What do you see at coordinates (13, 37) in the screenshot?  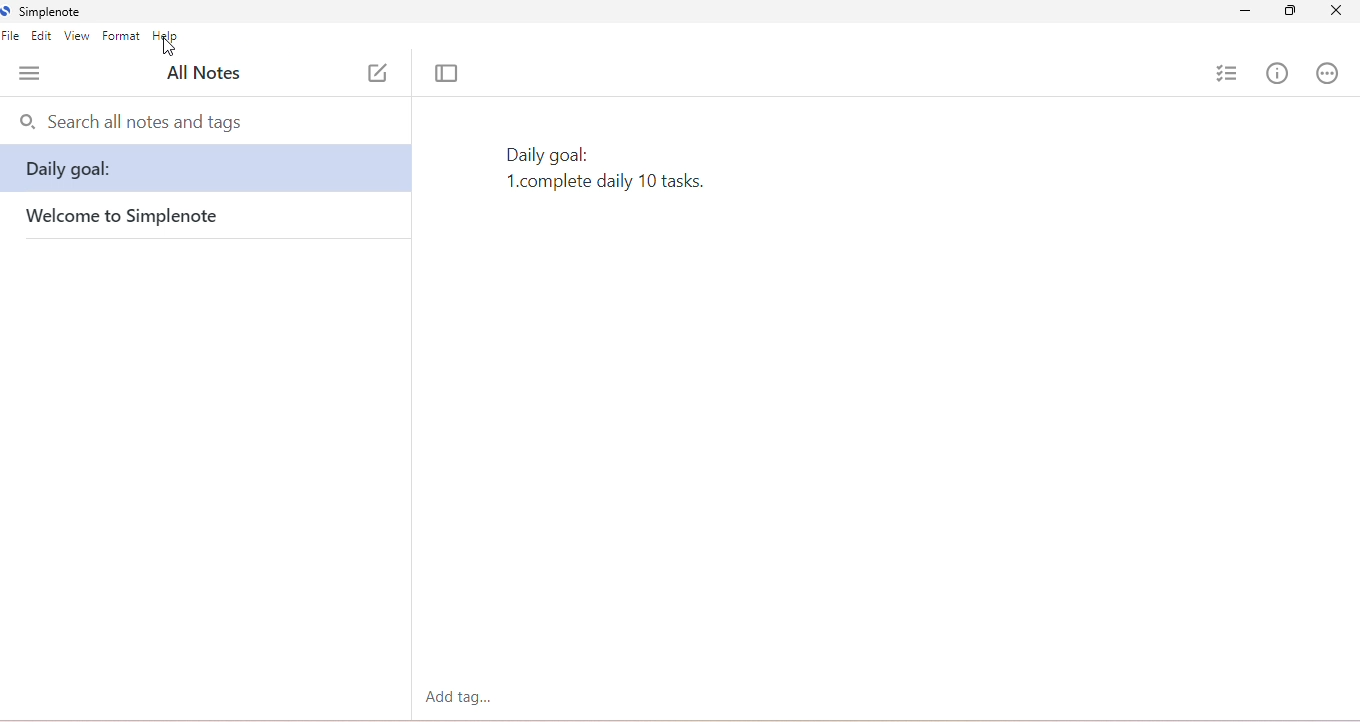 I see `file` at bounding box center [13, 37].